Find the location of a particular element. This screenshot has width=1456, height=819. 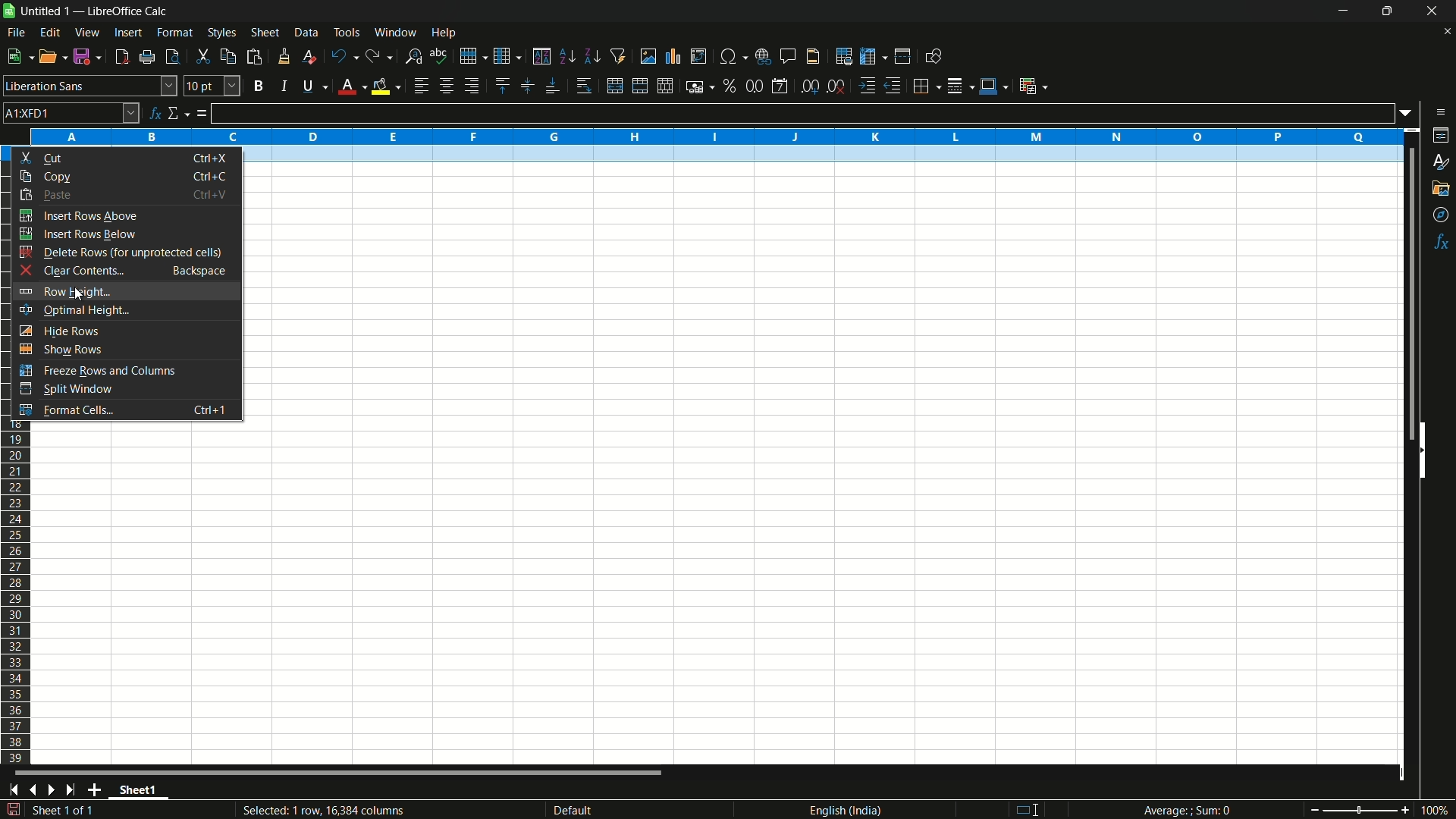

format cells is located at coordinates (127, 413).